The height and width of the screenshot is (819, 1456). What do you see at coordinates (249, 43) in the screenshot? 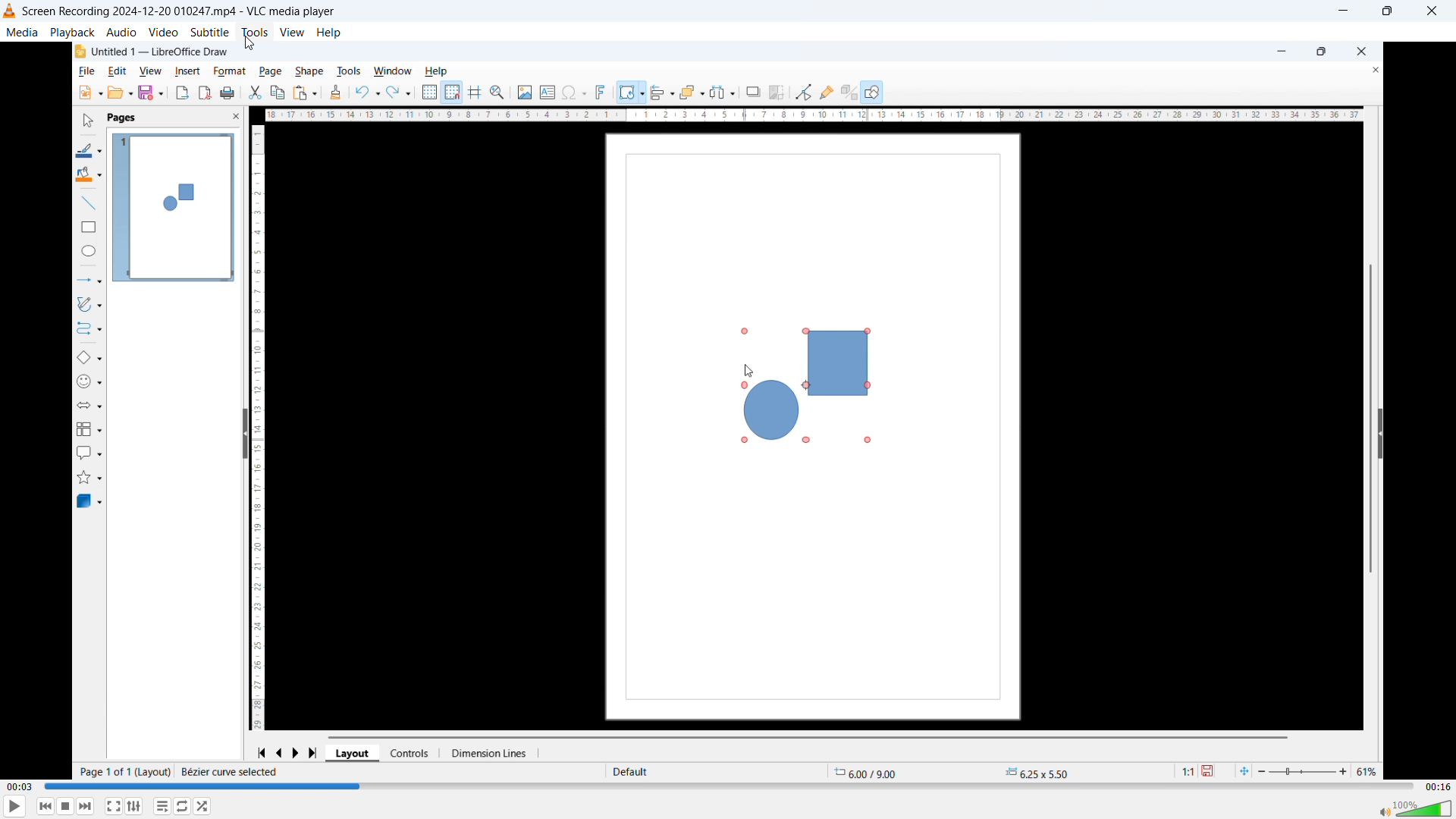
I see `Cursor ` at bounding box center [249, 43].